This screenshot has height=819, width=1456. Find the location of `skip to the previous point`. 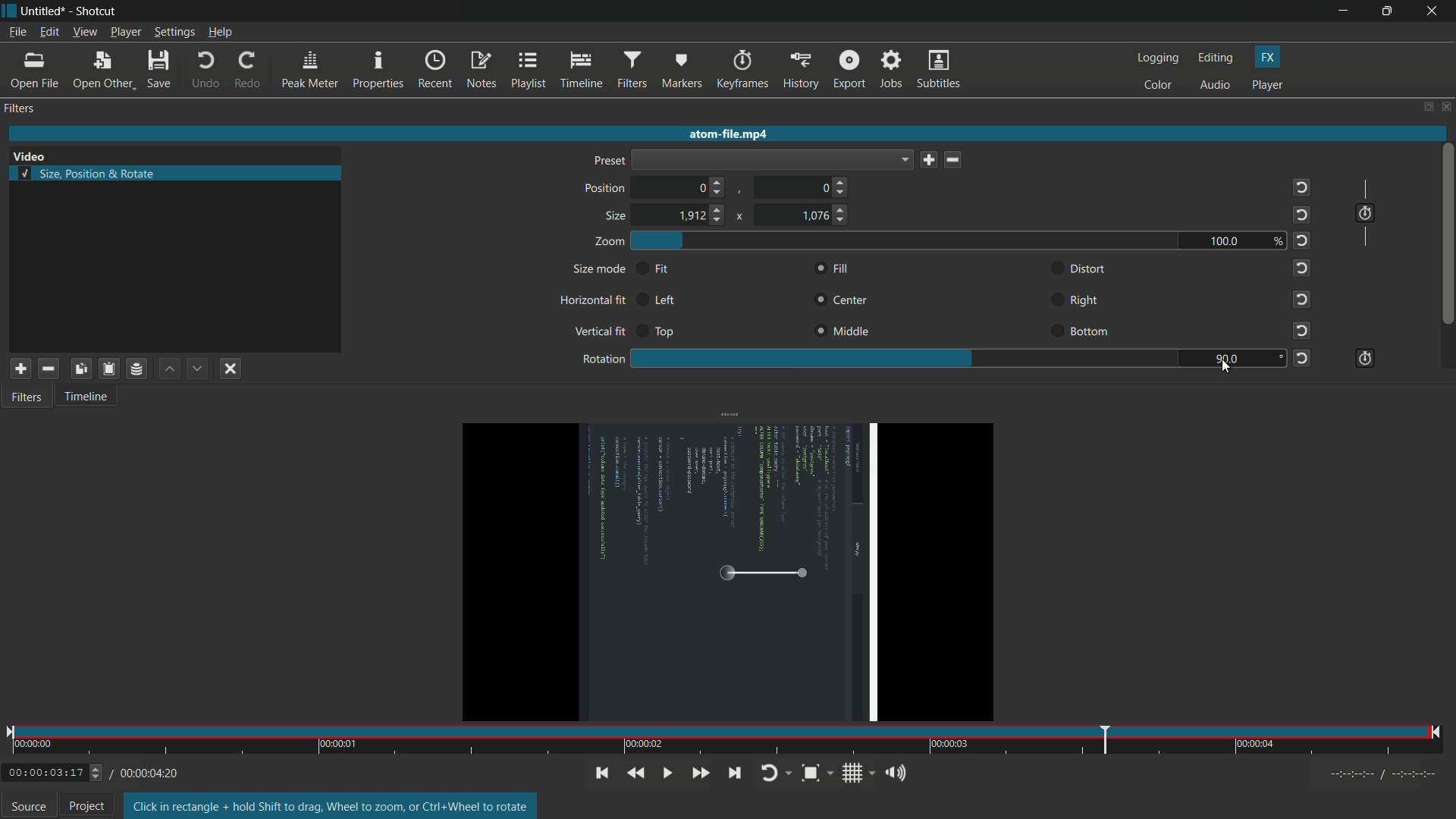

skip to the previous point is located at coordinates (602, 773).